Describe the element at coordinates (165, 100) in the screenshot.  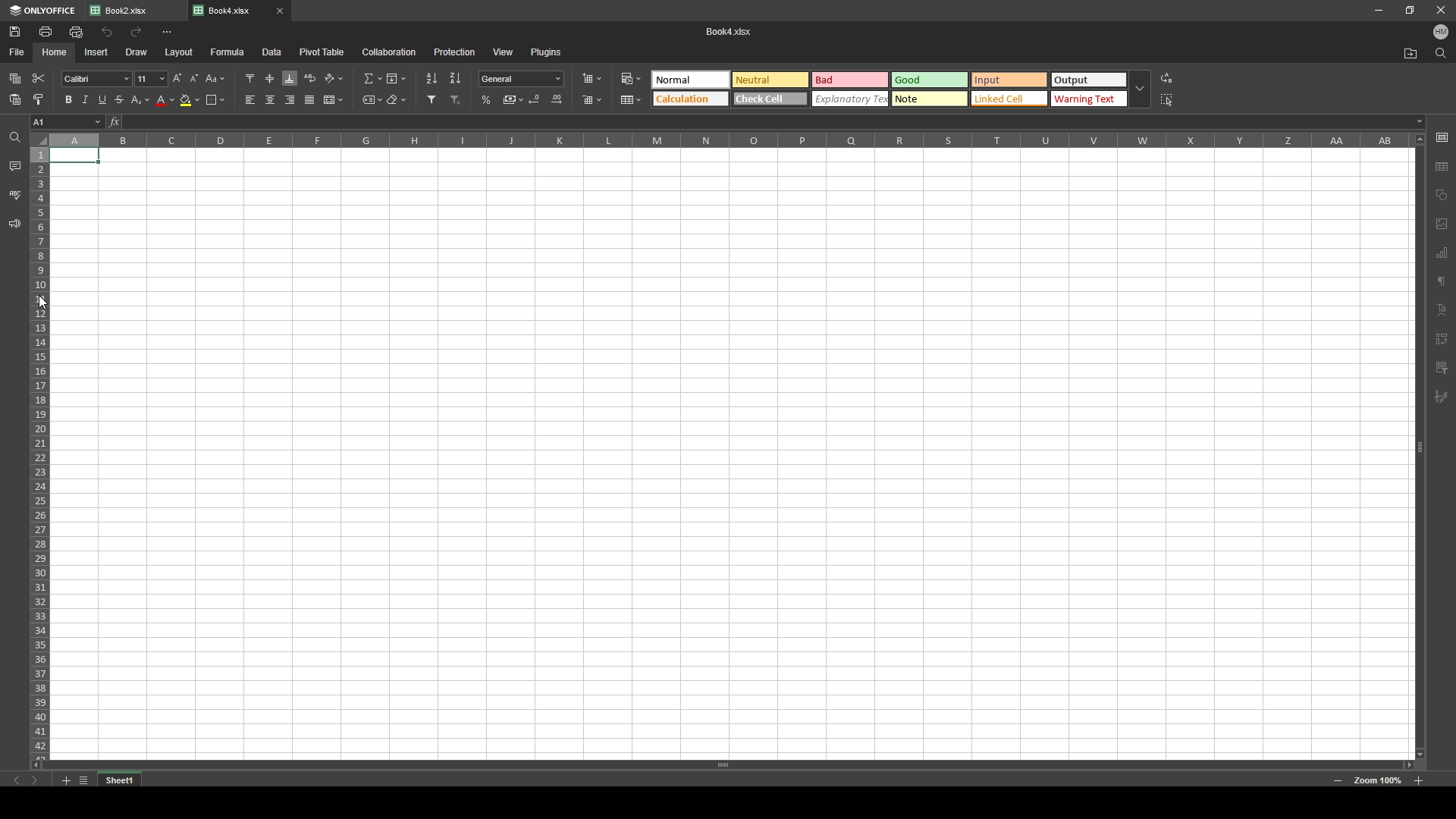
I see `line color` at that location.